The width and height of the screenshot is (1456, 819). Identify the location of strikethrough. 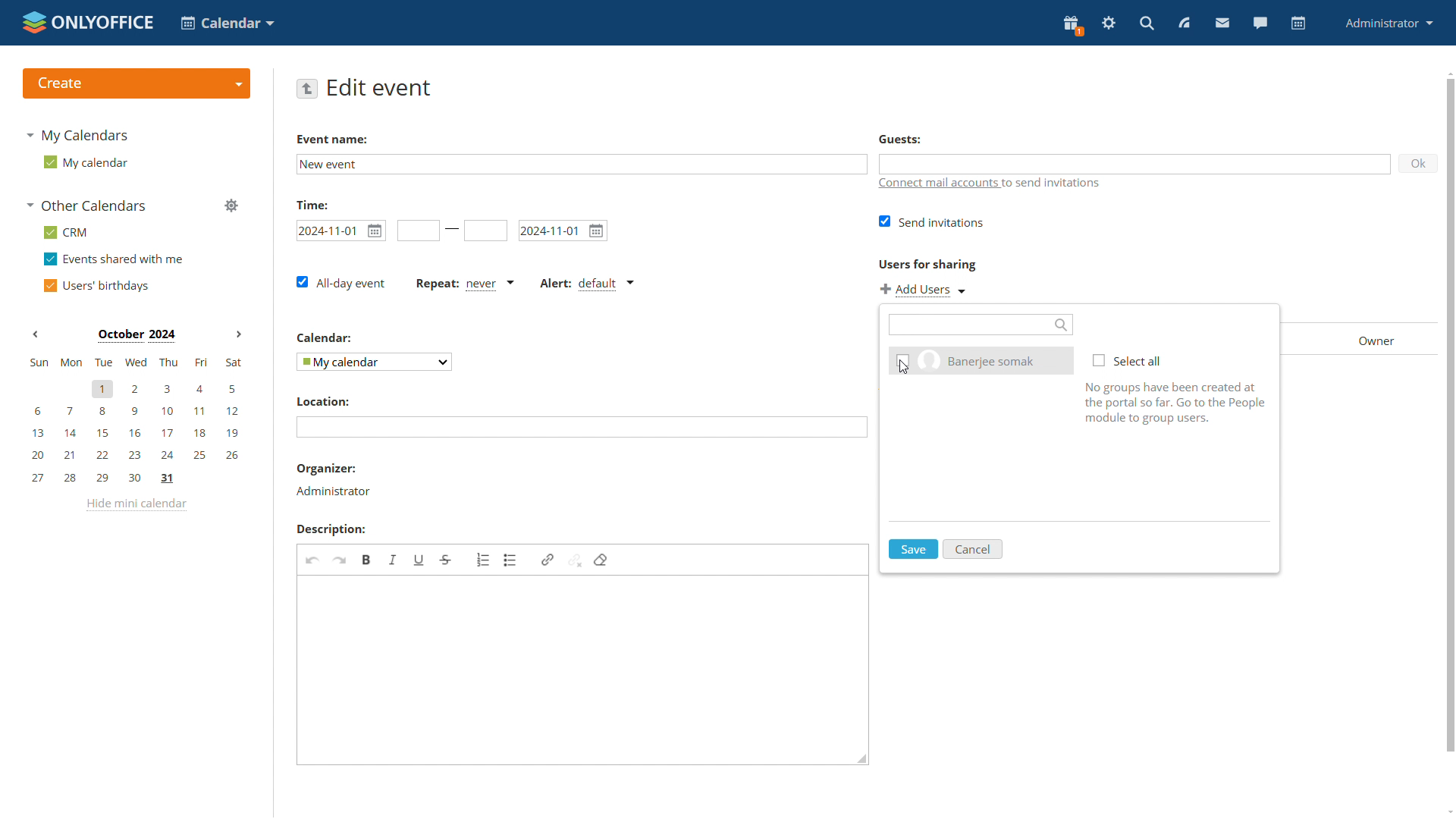
(445, 560).